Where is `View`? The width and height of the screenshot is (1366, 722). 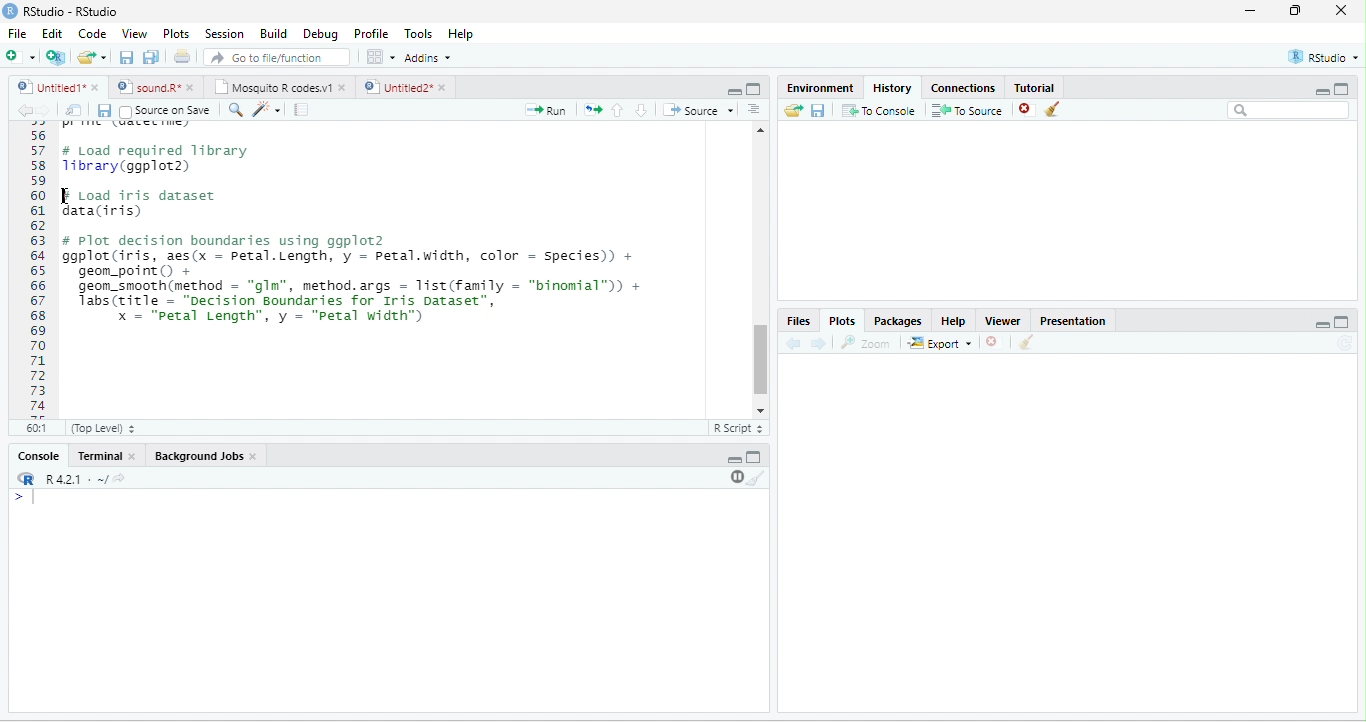 View is located at coordinates (134, 34).